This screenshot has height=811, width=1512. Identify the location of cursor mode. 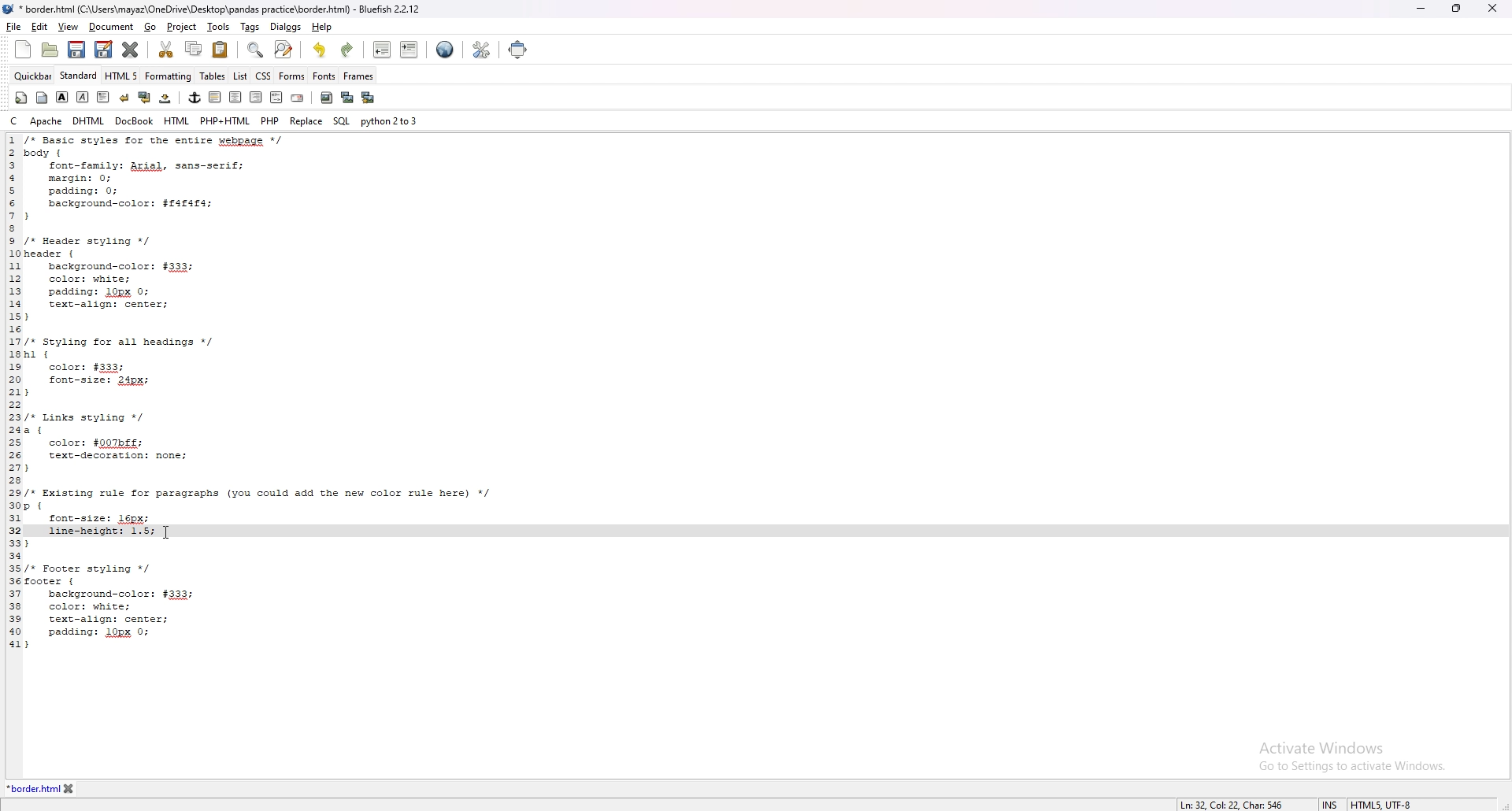
(1331, 804).